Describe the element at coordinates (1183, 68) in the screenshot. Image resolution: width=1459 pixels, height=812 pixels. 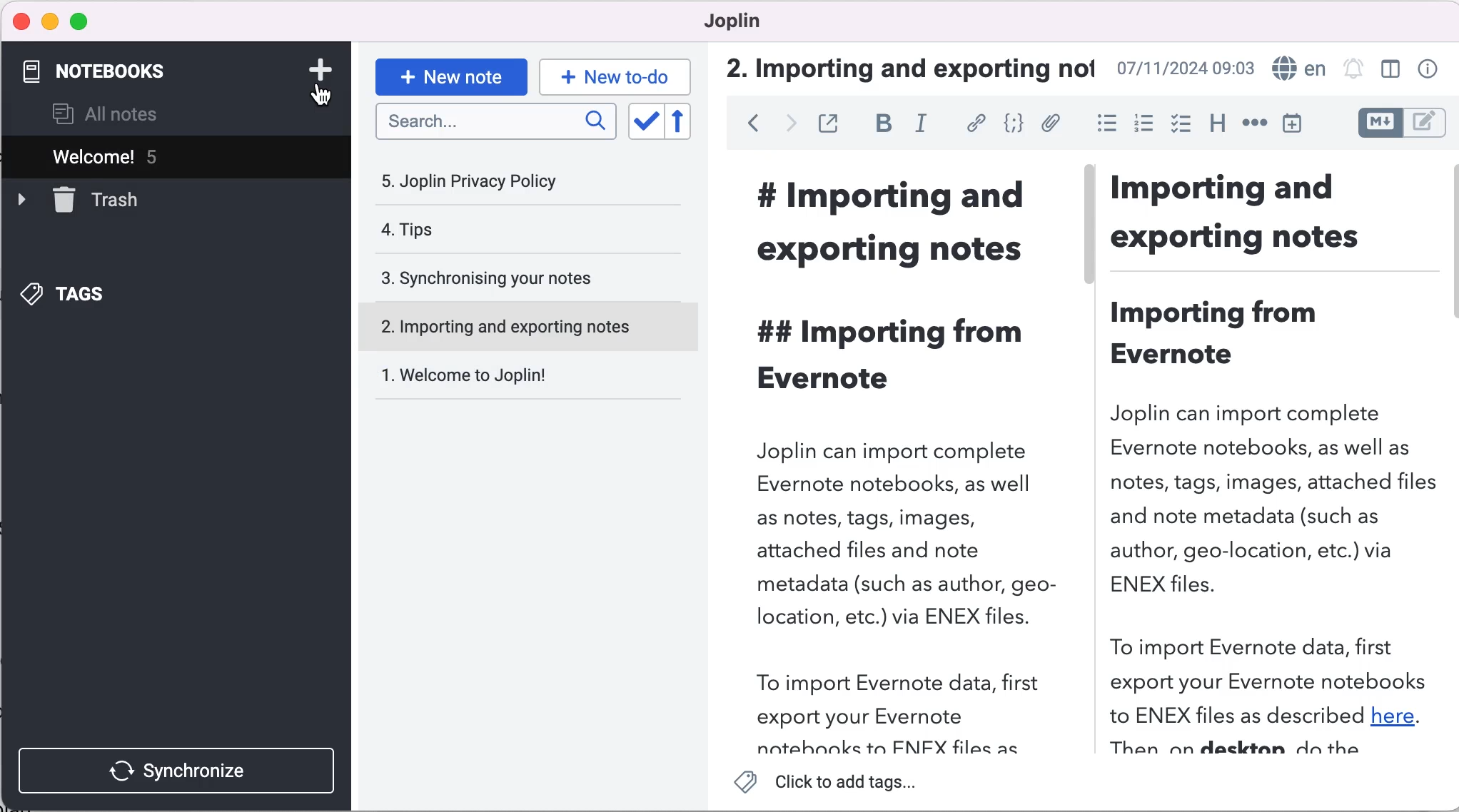
I see `07/11/2024 09:03` at that location.